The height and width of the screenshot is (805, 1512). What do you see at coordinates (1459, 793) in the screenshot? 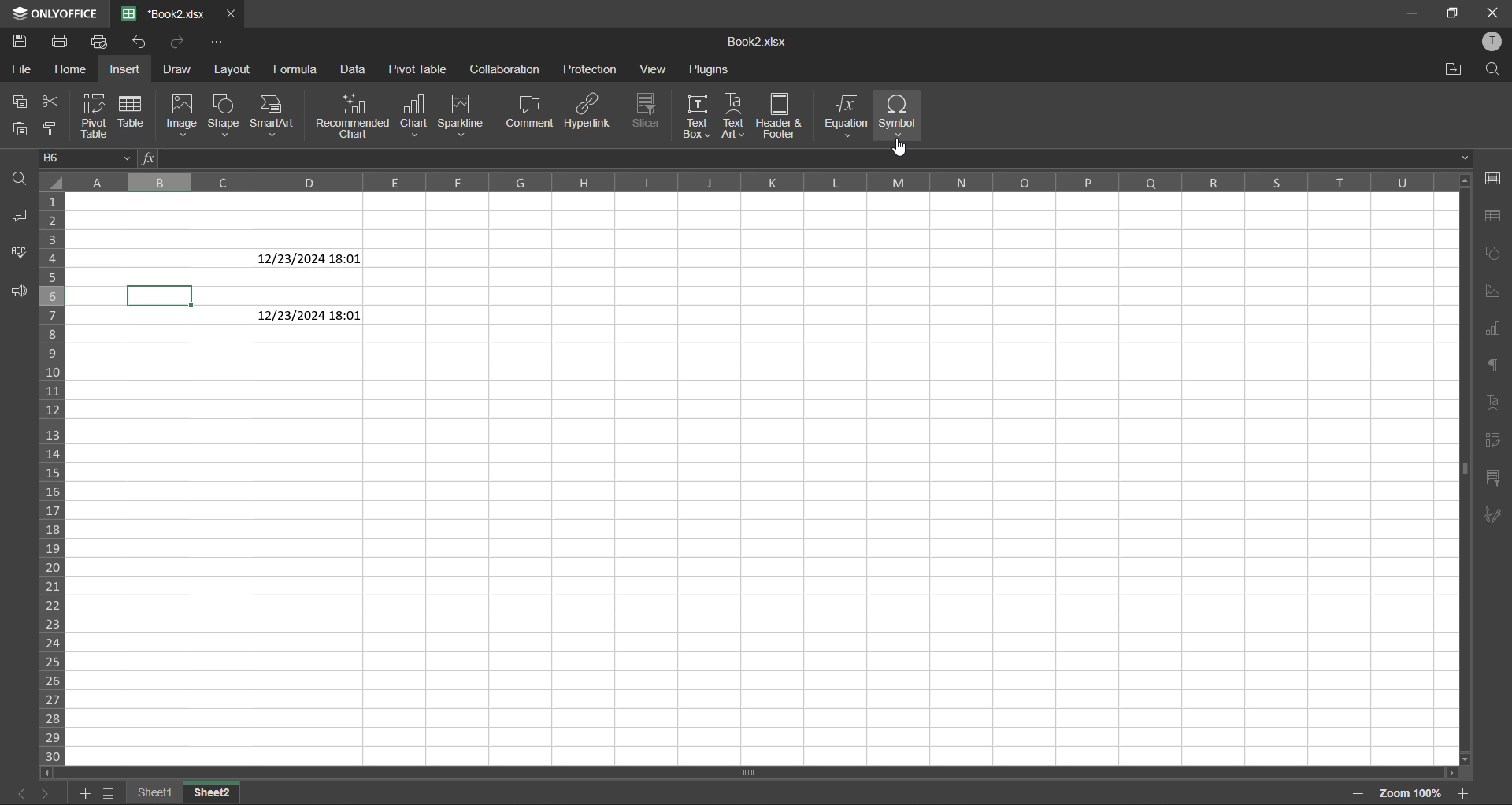
I see `zoom in` at bounding box center [1459, 793].